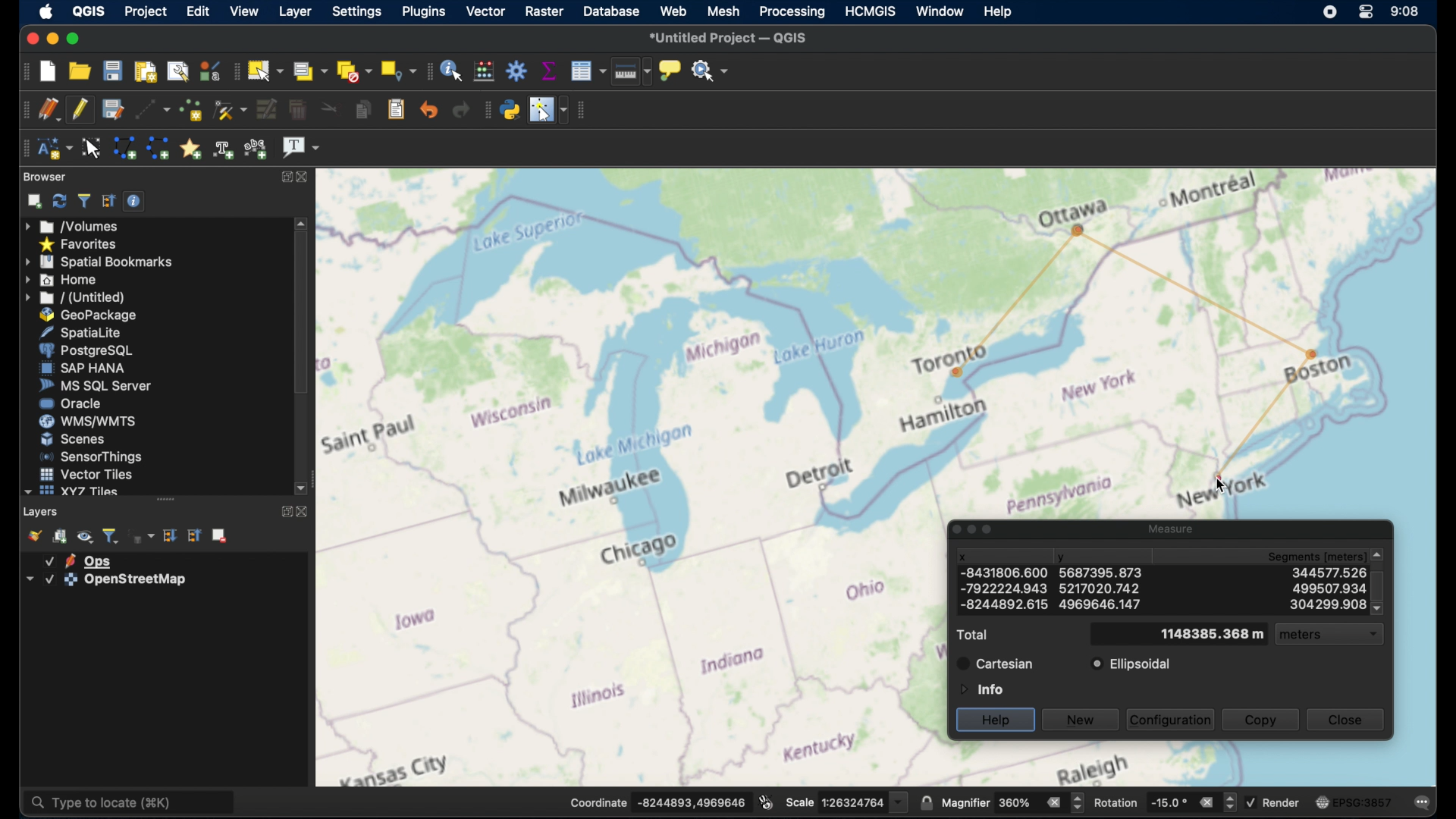 The width and height of the screenshot is (1456, 819). Describe the element at coordinates (61, 536) in the screenshot. I see `add group` at that location.